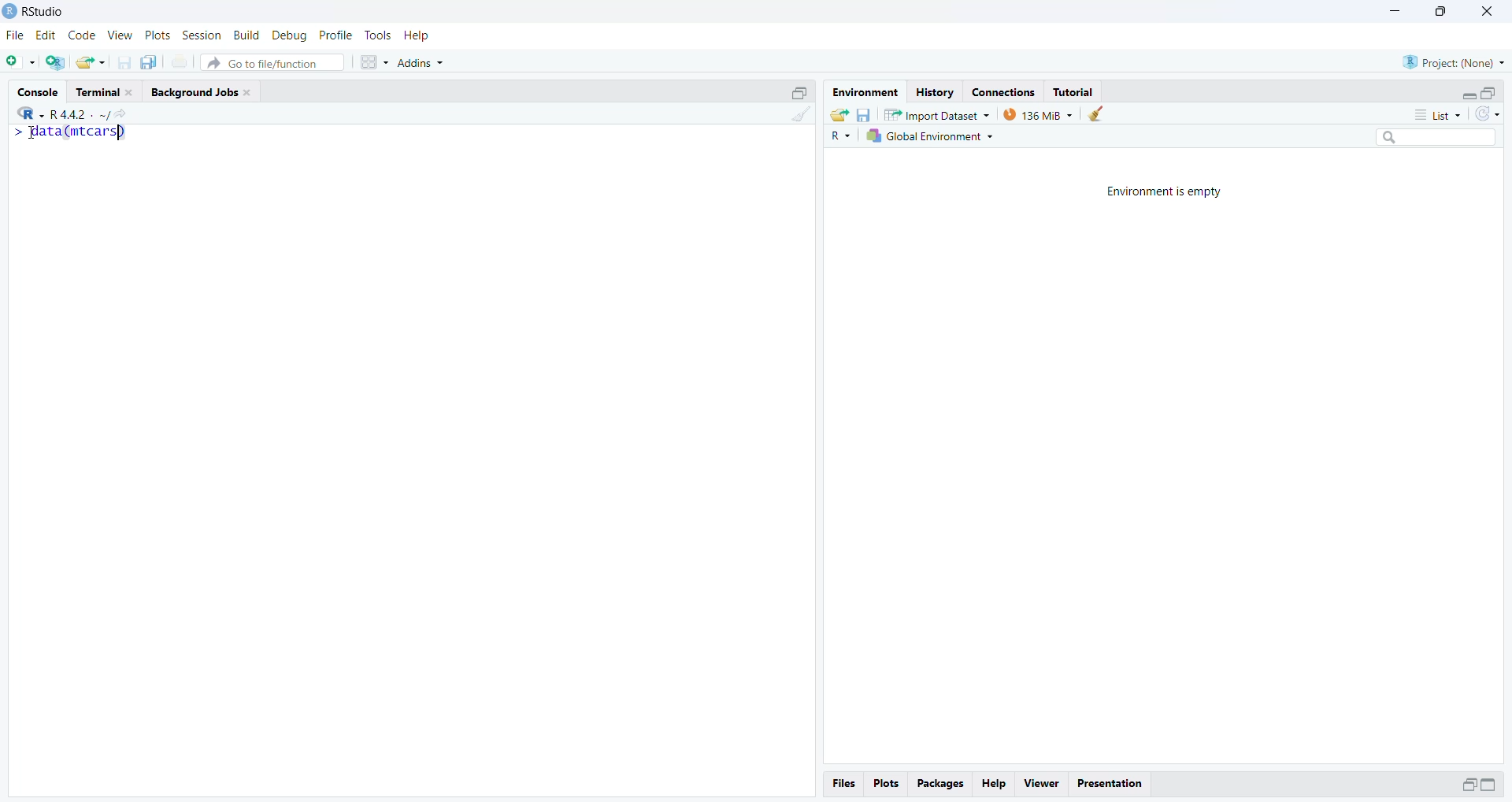  What do you see at coordinates (798, 123) in the screenshot?
I see `Clear console (Ctrl +L)` at bounding box center [798, 123].